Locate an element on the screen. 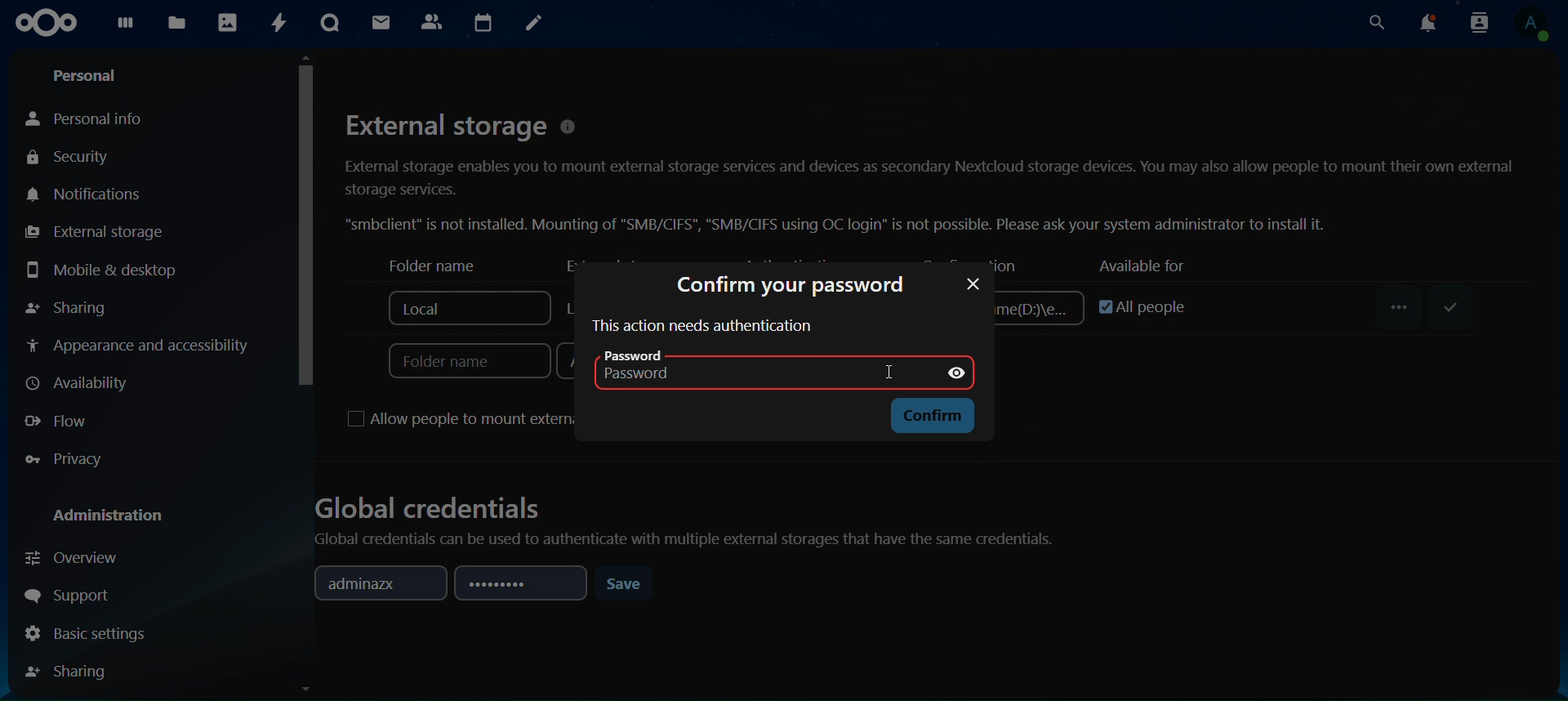 This screenshot has width=1568, height=701. view profile is located at coordinates (1538, 25).